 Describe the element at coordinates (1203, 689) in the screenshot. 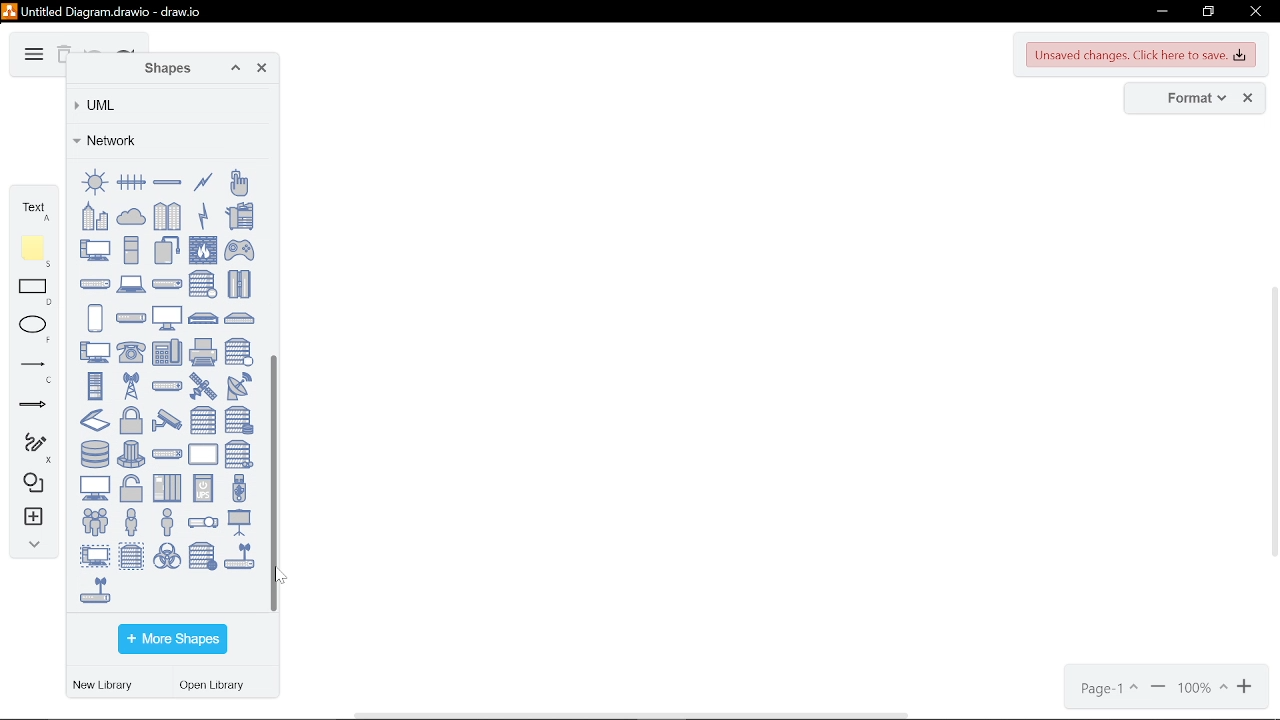

I see `current zoom` at that location.